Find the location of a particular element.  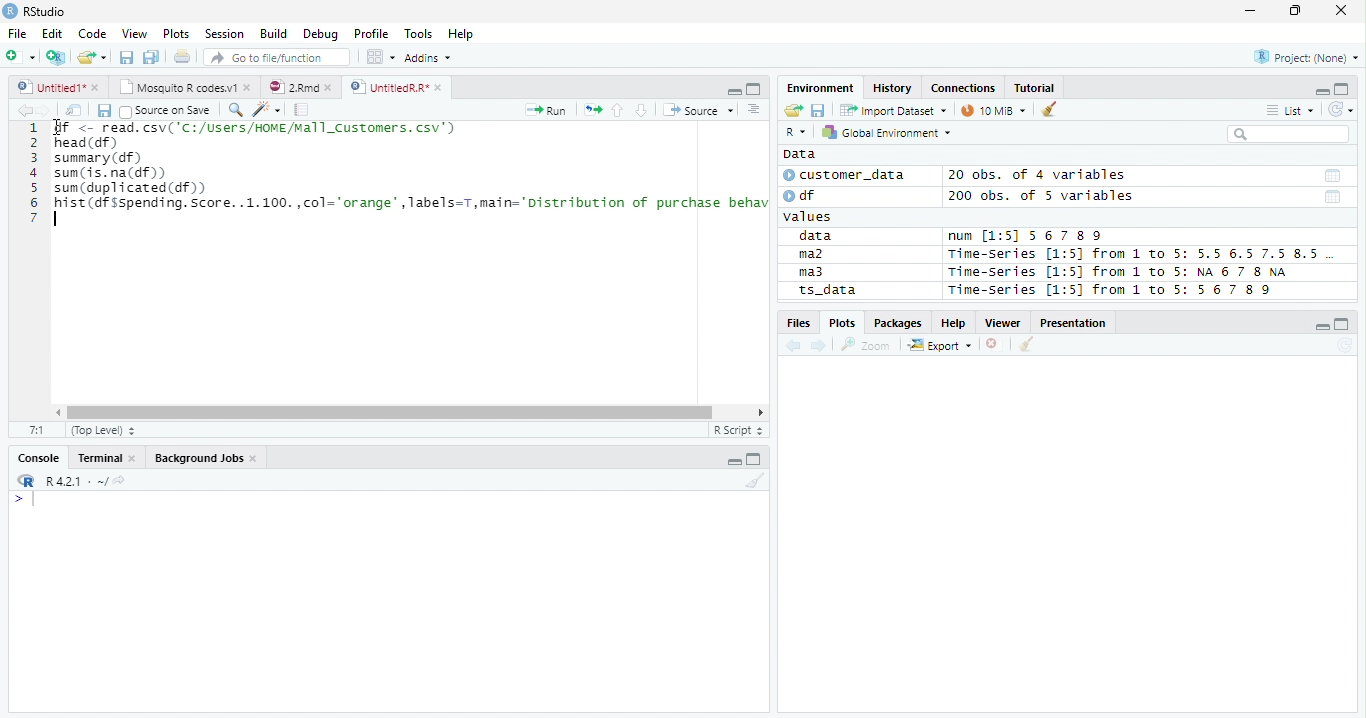

Open Folder is located at coordinates (93, 56).